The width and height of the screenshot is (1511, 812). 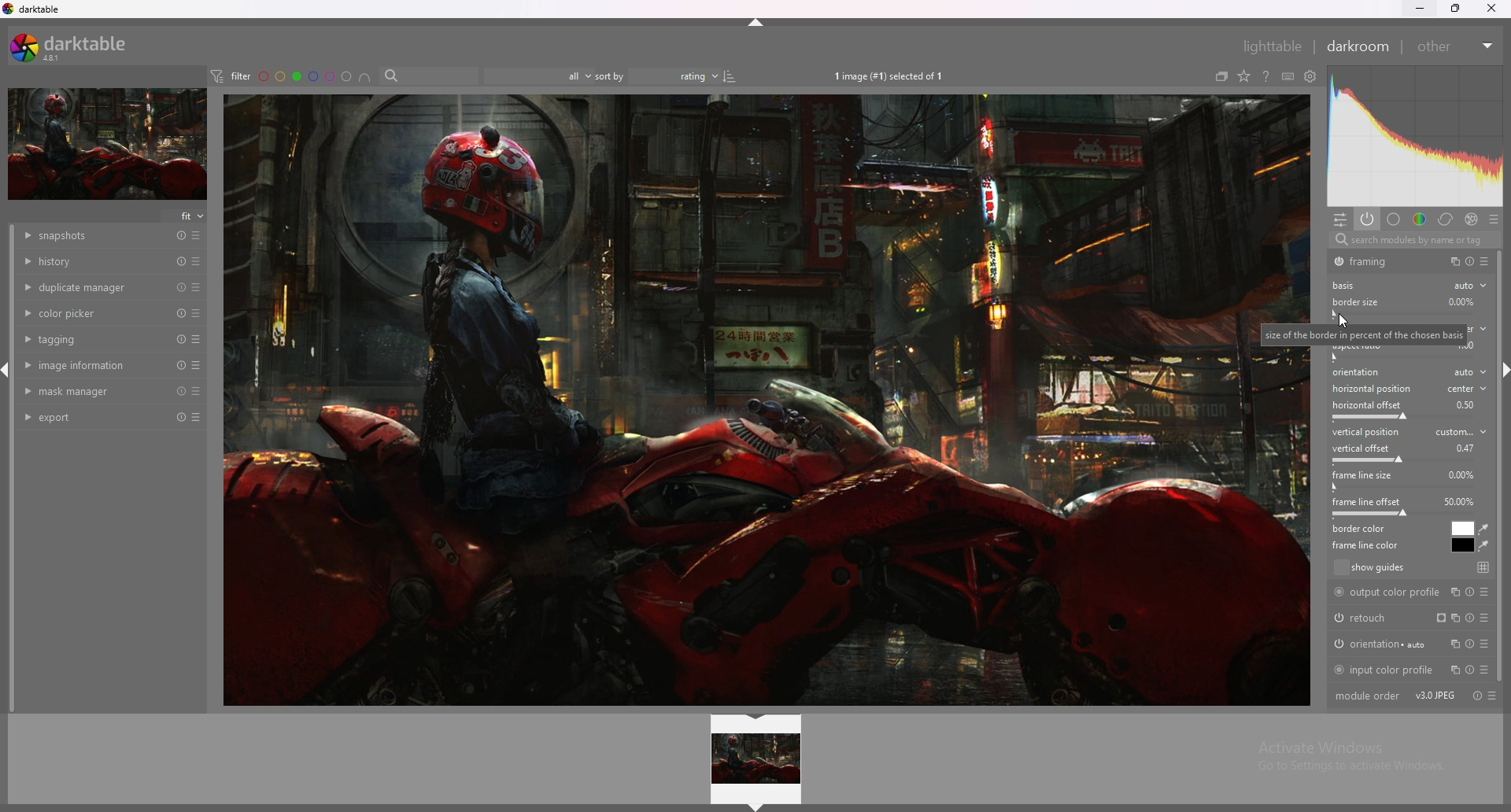 What do you see at coordinates (1469, 286) in the screenshot?
I see `auto` at bounding box center [1469, 286].